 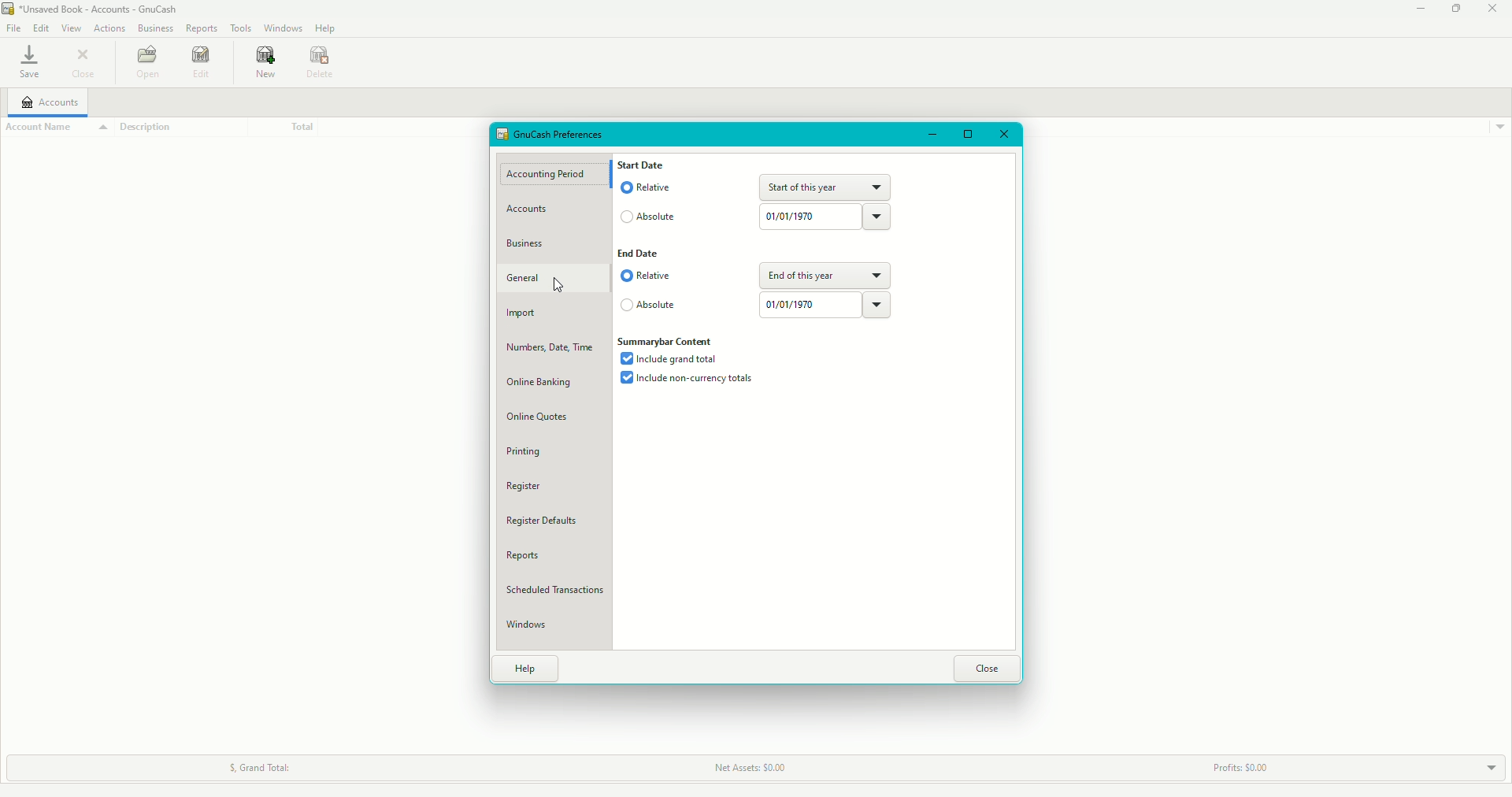 What do you see at coordinates (561, 287) in the screenshot?
I see `cursor` at bounding box center [561, 287].